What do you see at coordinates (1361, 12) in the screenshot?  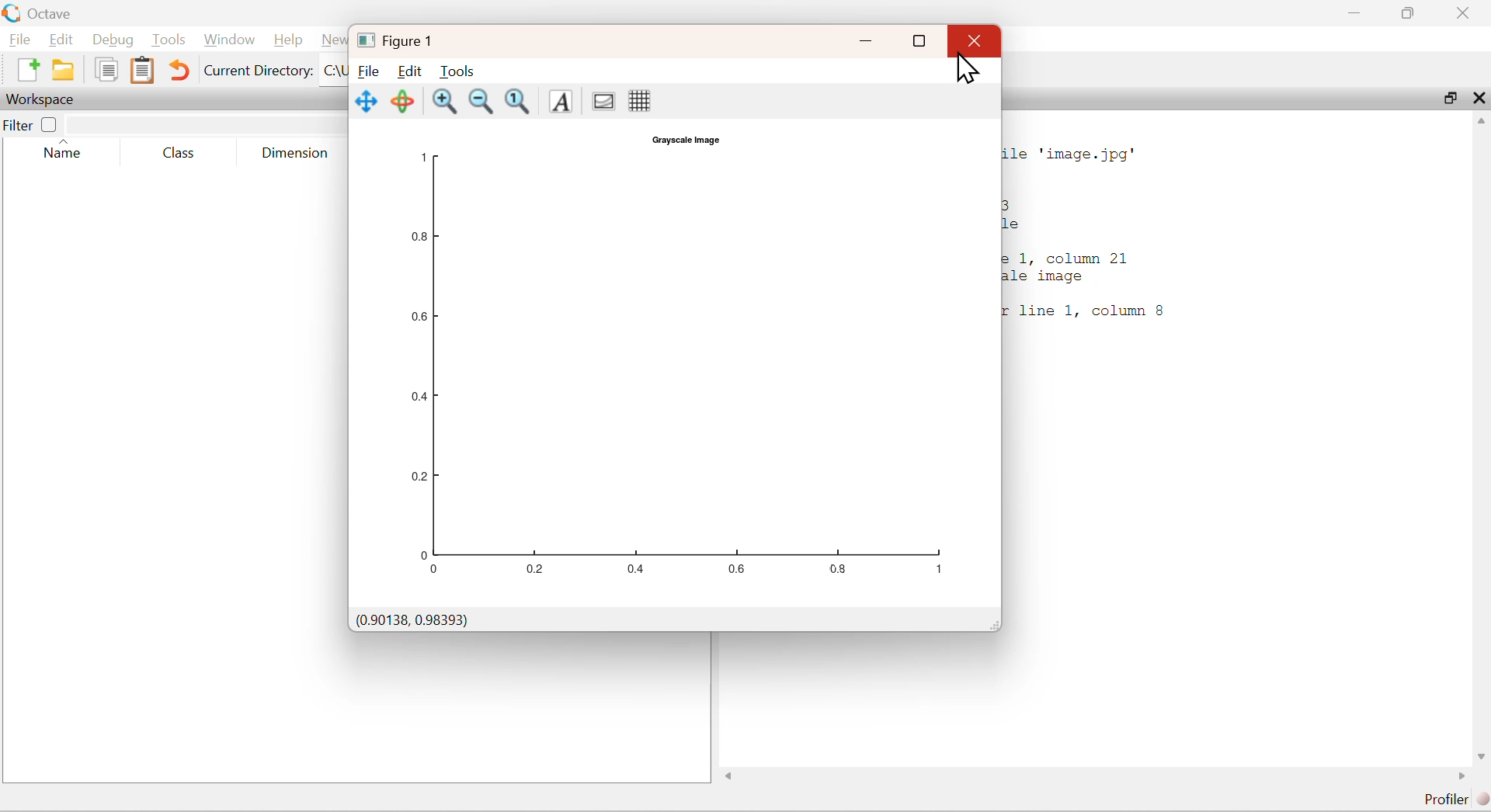 I see `Minimize` at bounding box center [1361, 12].